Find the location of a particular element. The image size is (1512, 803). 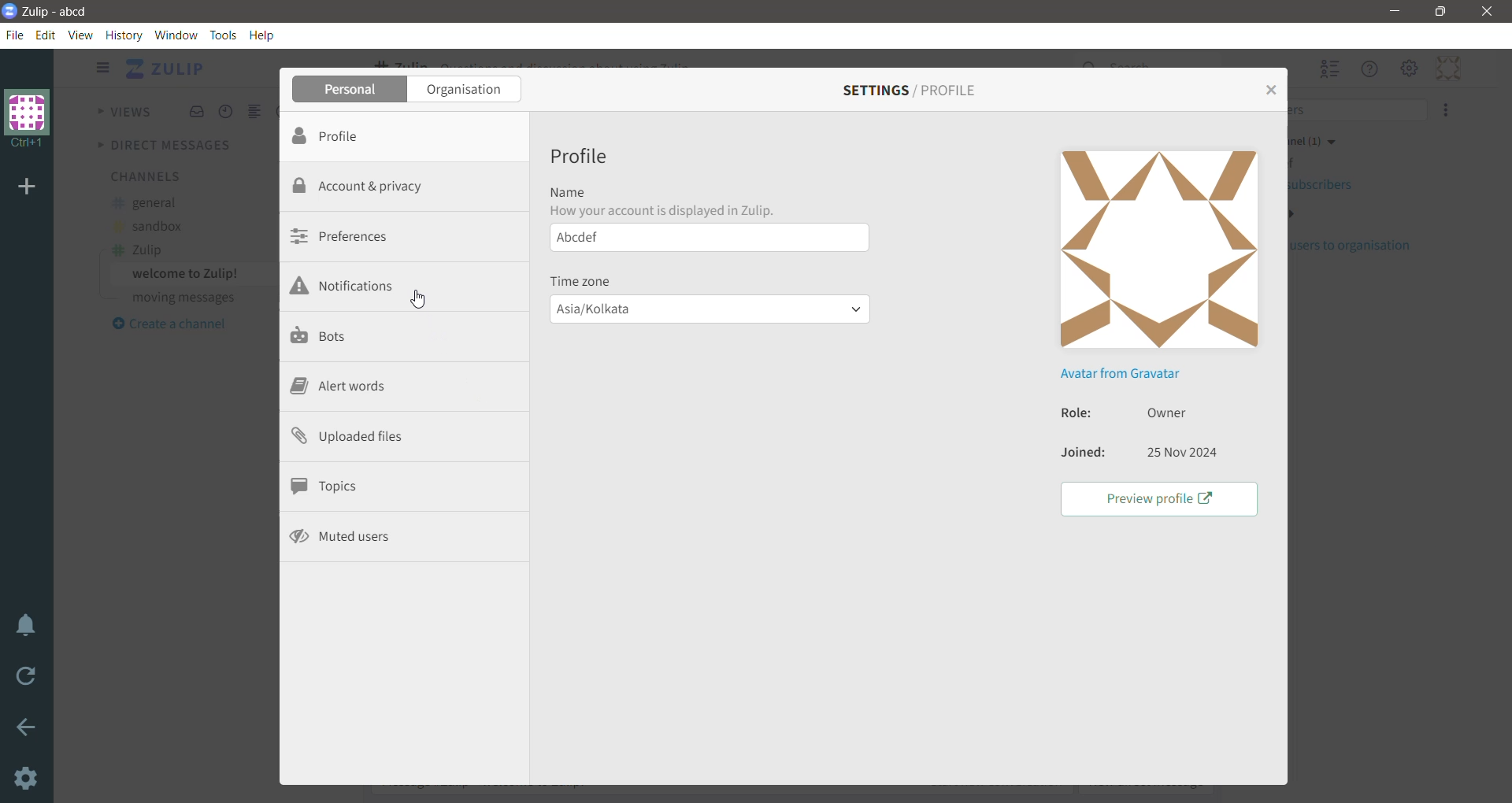

Personal is located at coordinates (350, 90).